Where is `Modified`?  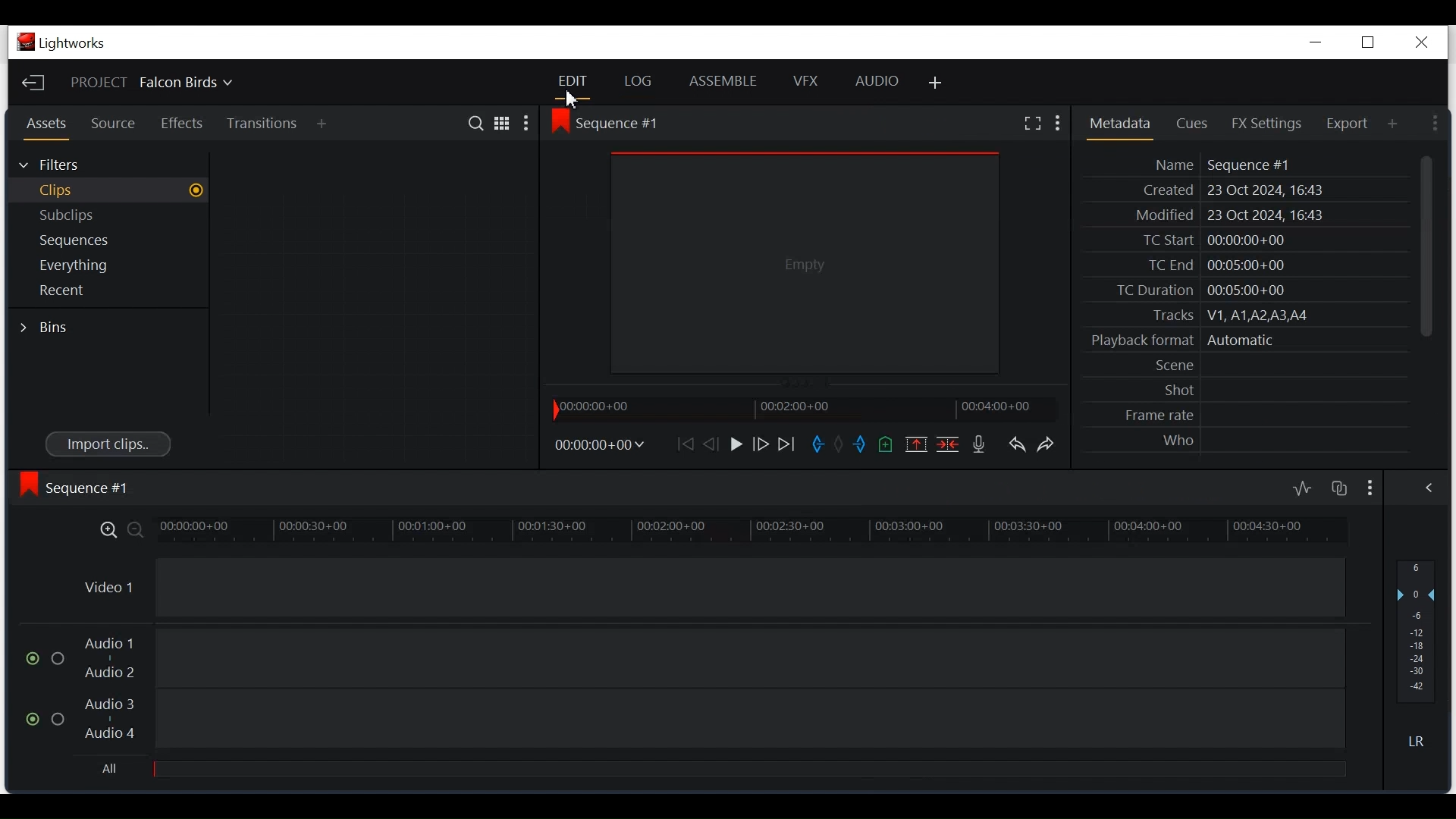 Modified is located at coordinates (1232, 217).